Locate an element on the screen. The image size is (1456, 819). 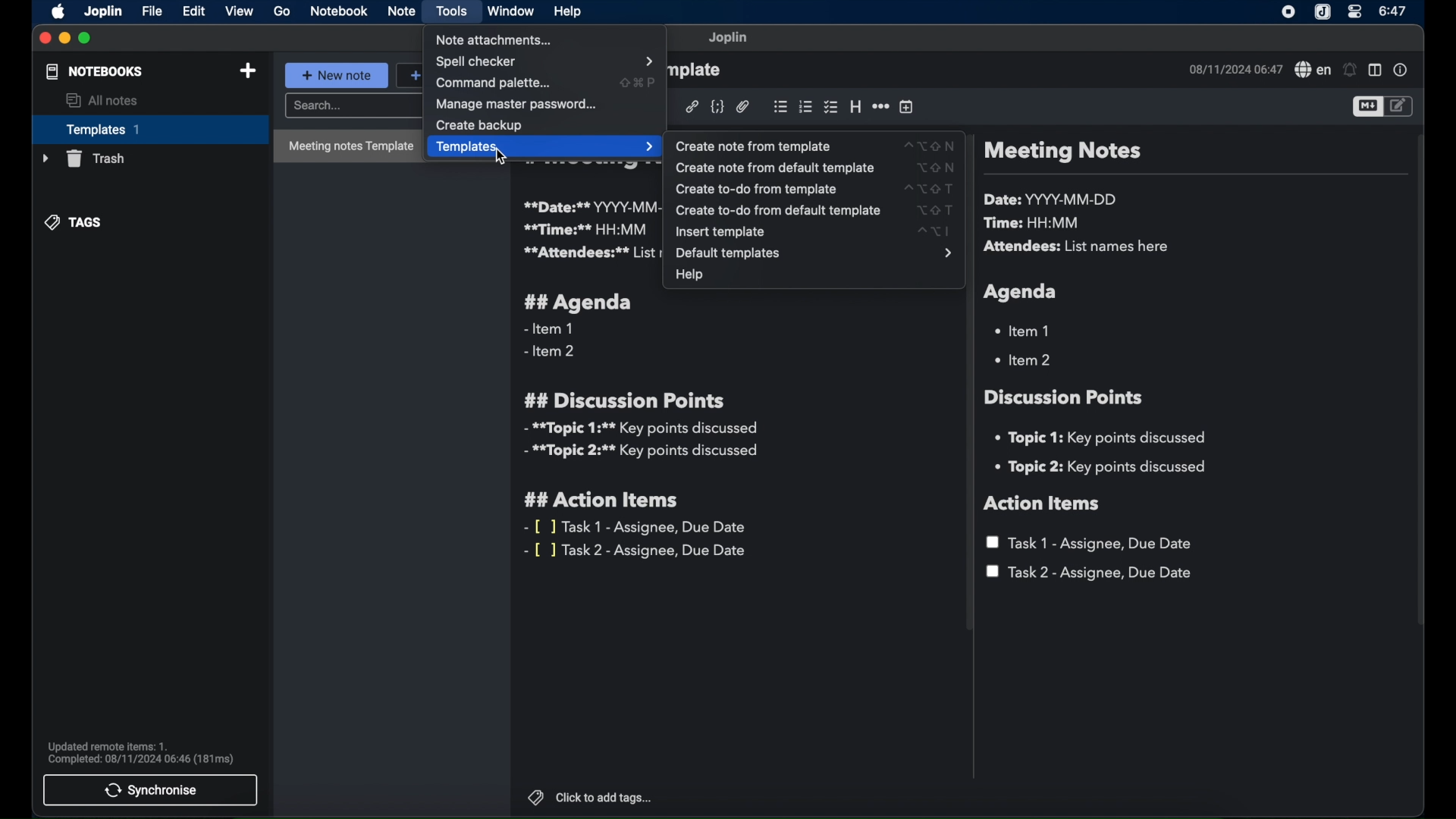
topic 1: key points discussed is located at coordinates (1106, 438).